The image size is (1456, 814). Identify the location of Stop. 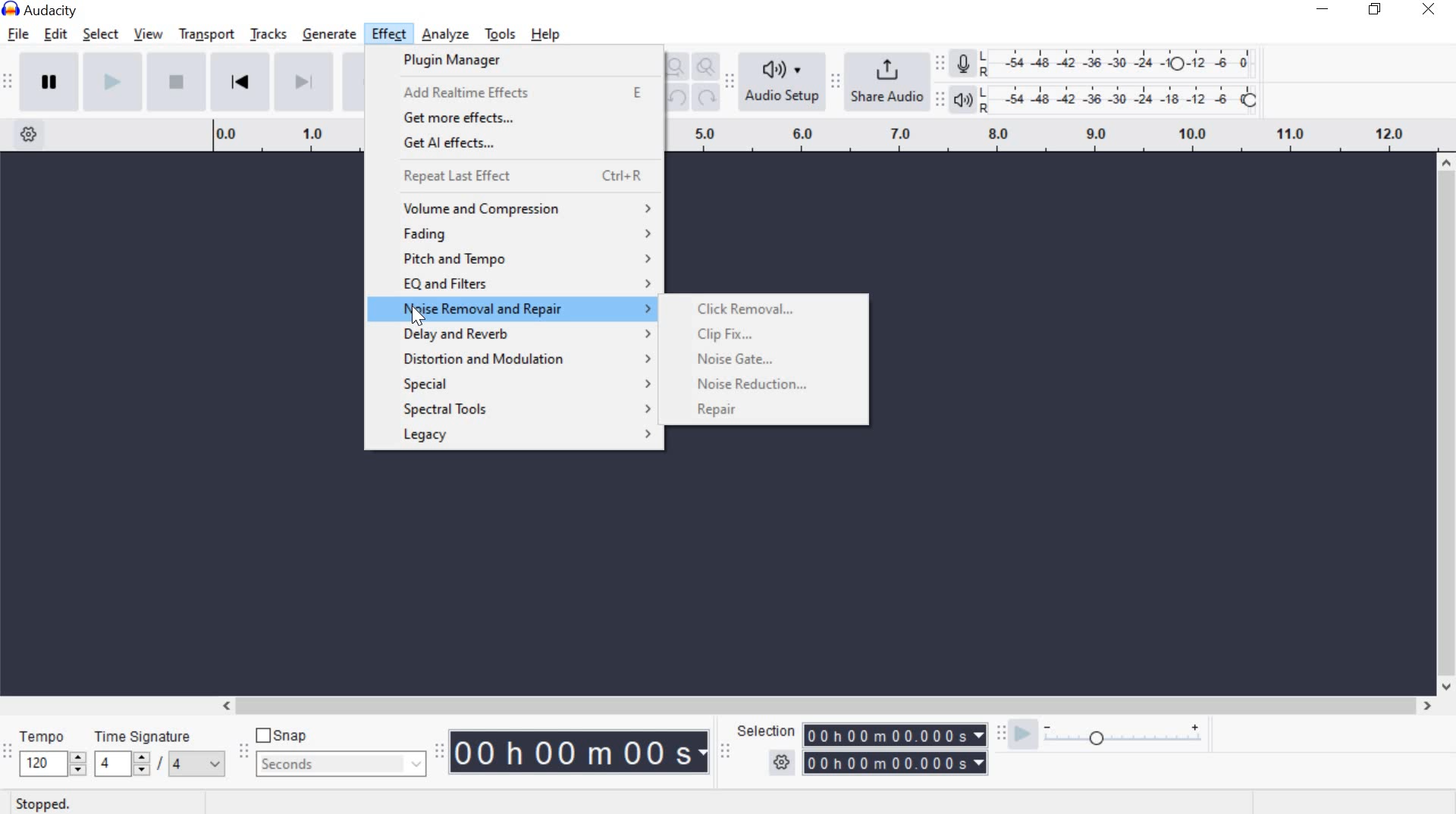
(174, 84).